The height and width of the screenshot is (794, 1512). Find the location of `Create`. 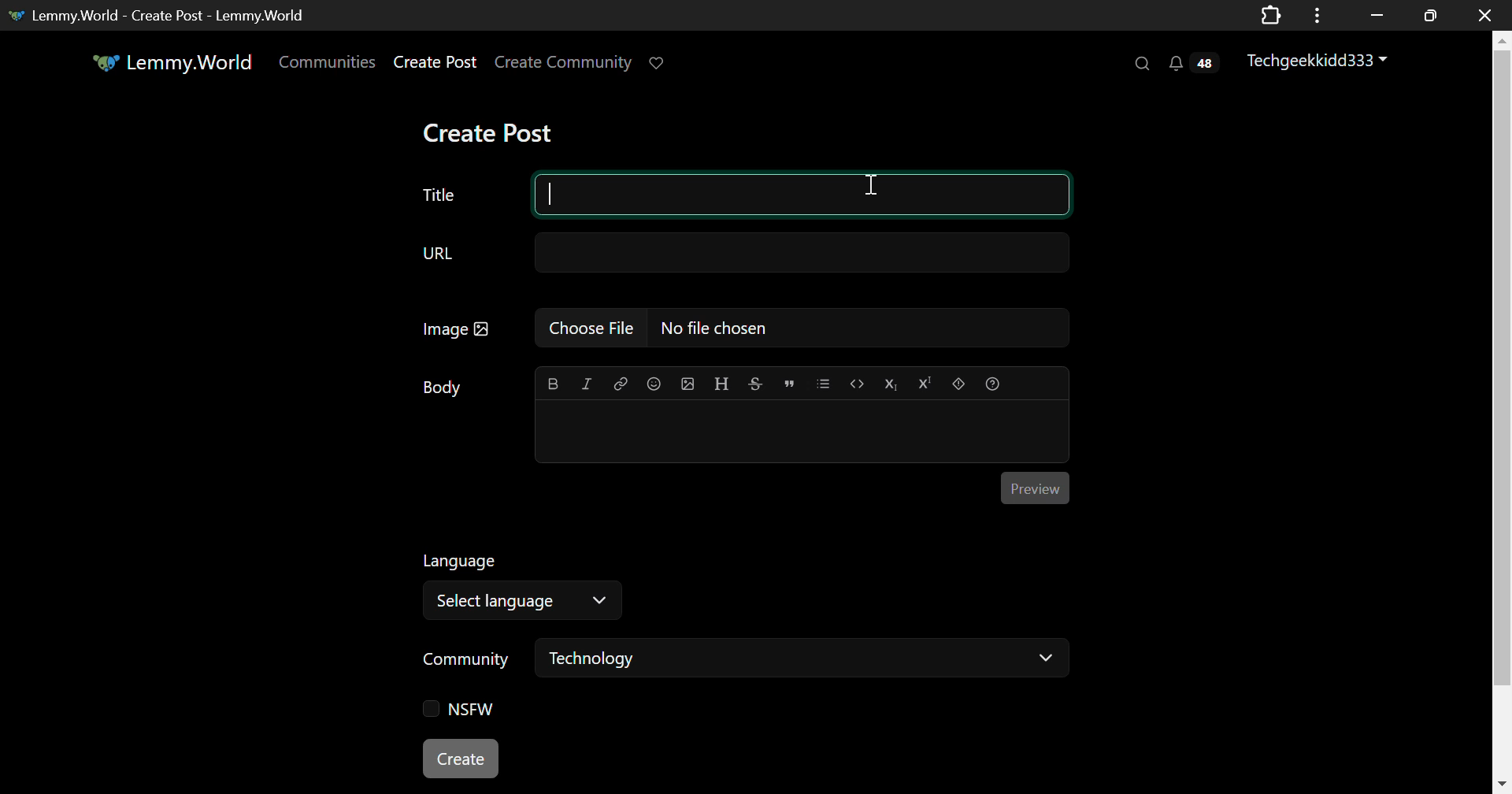

Create is located at coordinates (461, 759).